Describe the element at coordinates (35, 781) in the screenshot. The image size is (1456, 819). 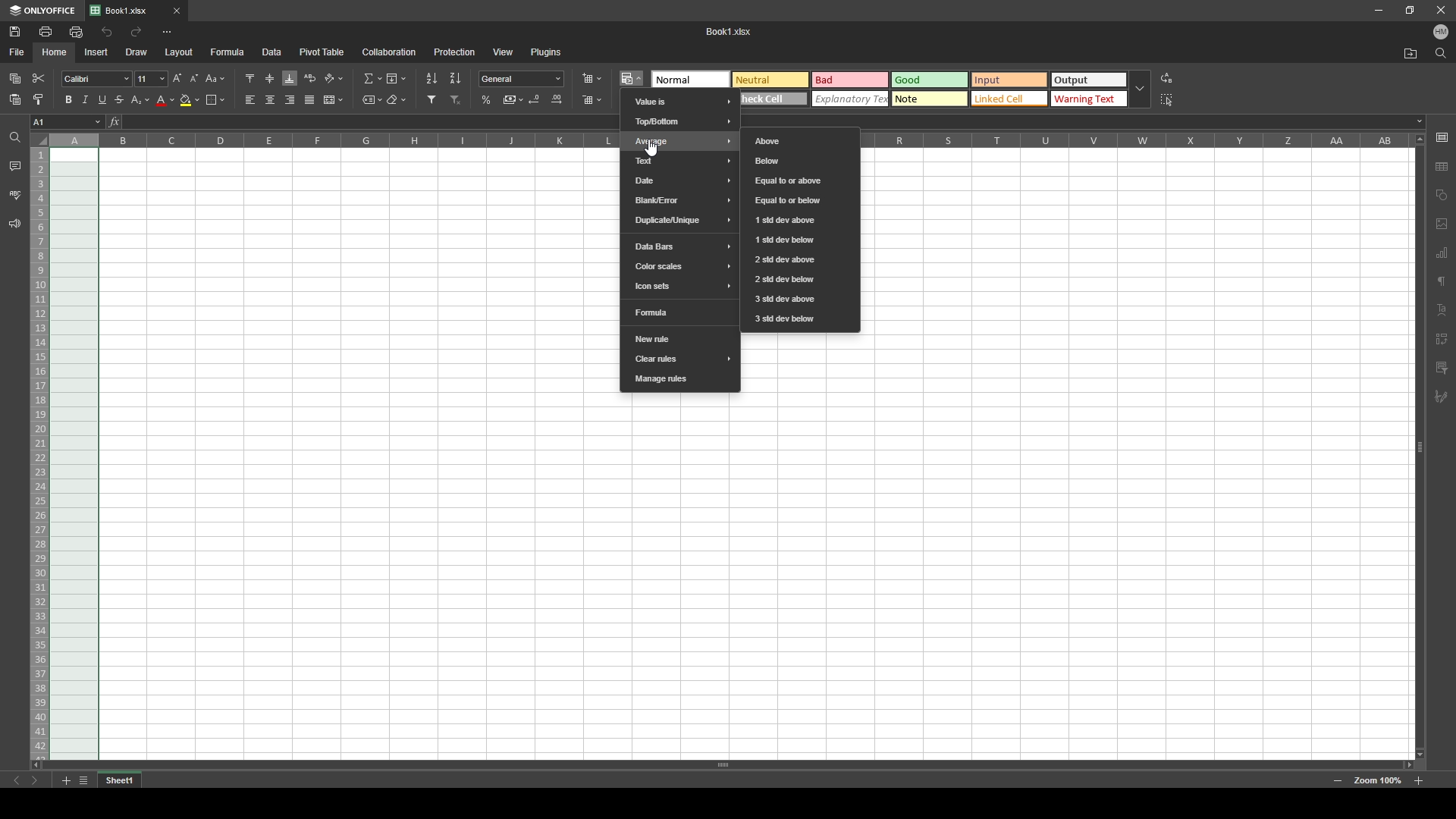
I see `next` at that location.